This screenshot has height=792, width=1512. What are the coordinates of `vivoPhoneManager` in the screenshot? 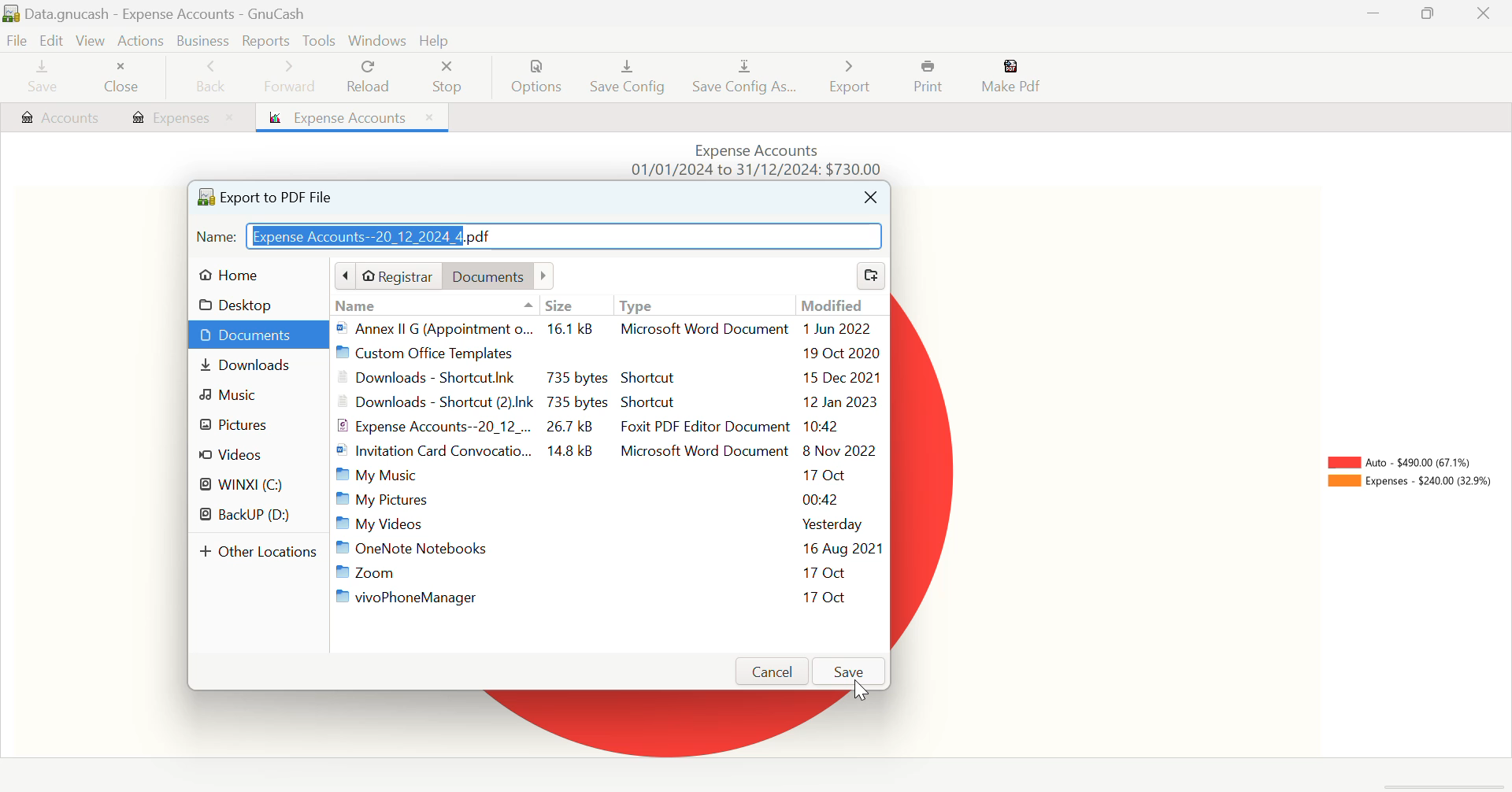 It's located at (606, 598).